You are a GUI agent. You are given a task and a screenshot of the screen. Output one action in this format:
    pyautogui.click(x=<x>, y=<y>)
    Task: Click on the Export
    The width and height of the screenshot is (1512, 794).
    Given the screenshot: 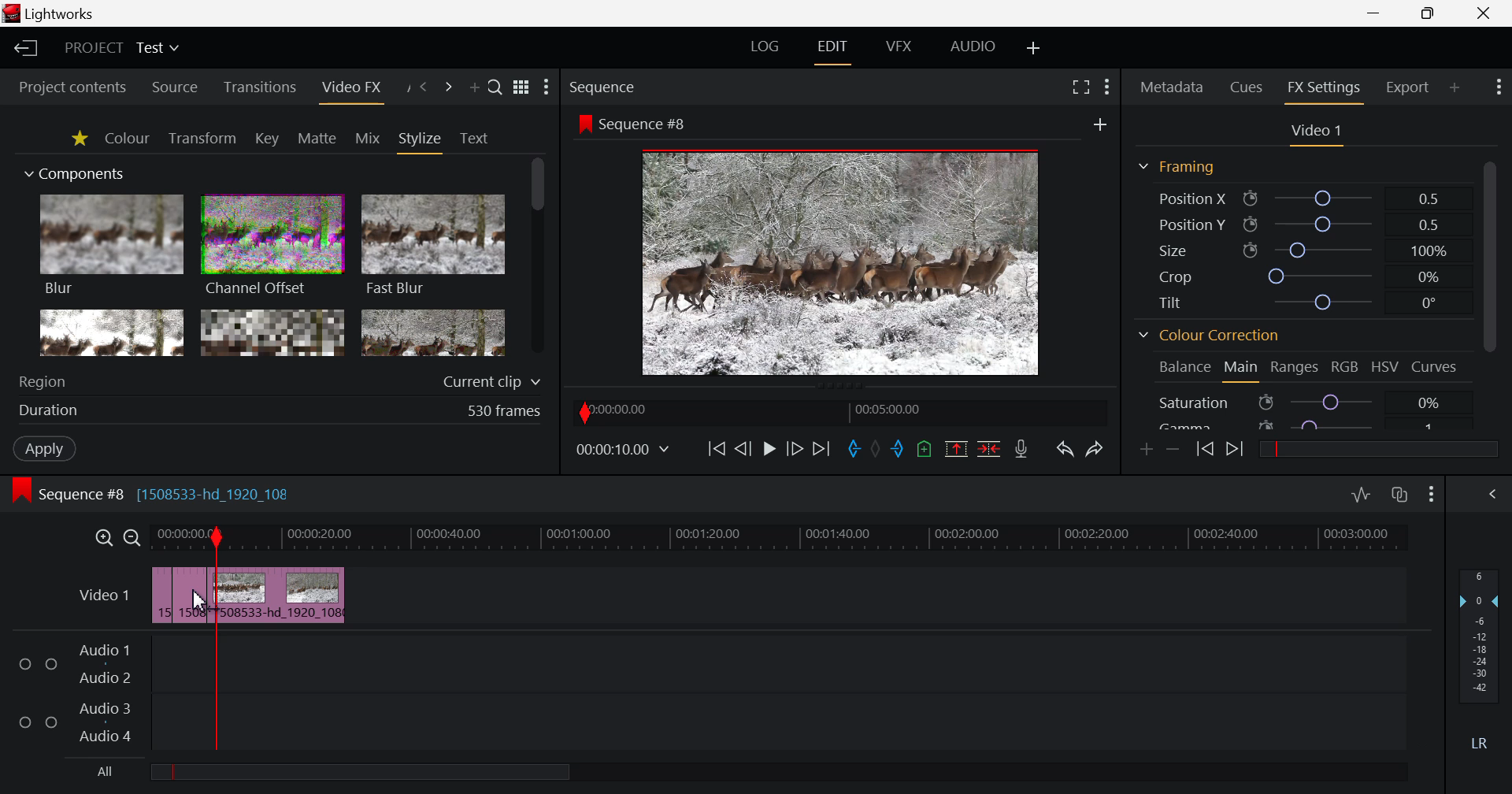 What is the action you would take?
    pyautogui.click(x=1409, y=87)
    